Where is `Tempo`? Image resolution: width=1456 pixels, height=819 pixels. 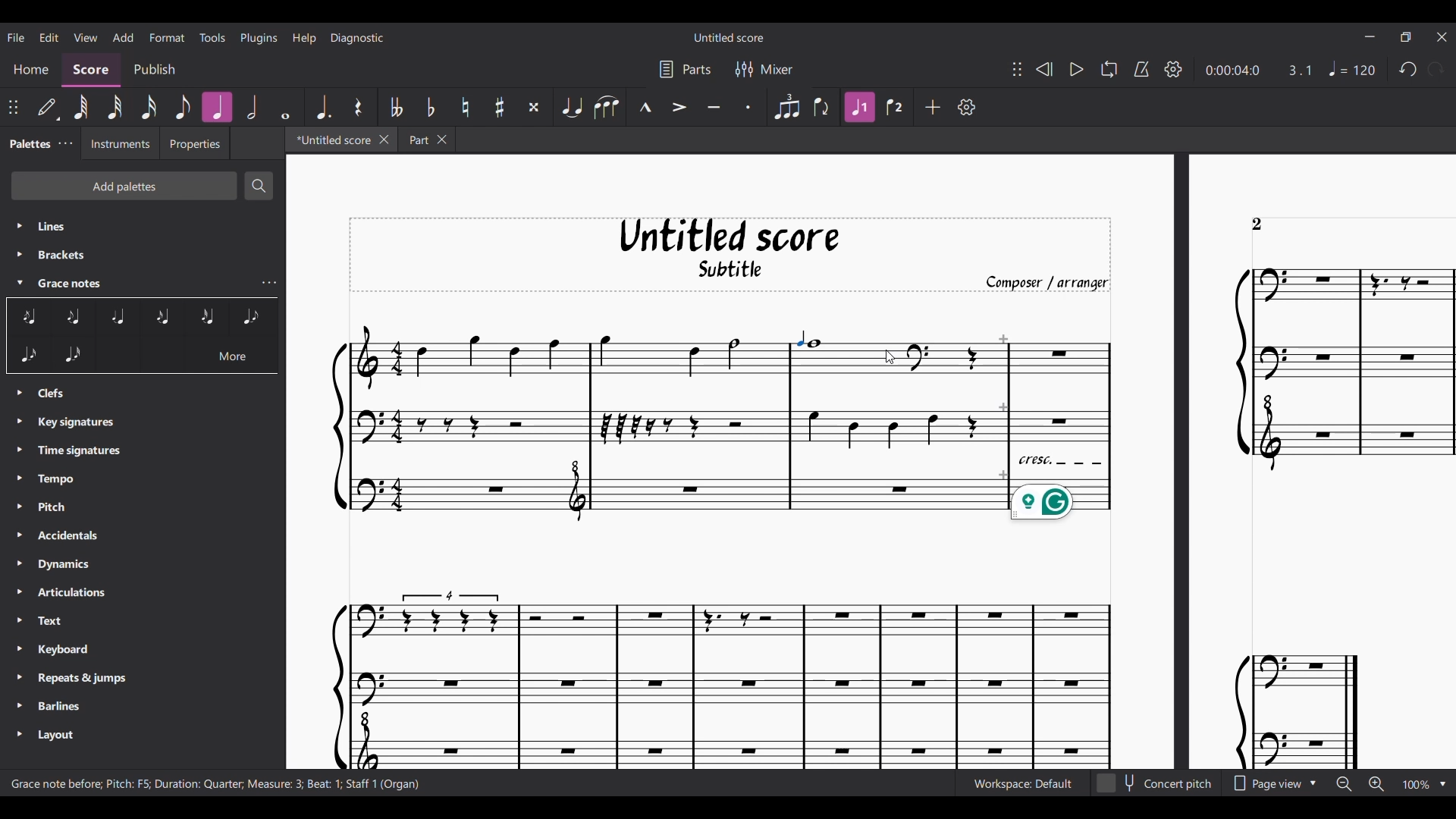
Tempo is located at coordinates (1352, 68).